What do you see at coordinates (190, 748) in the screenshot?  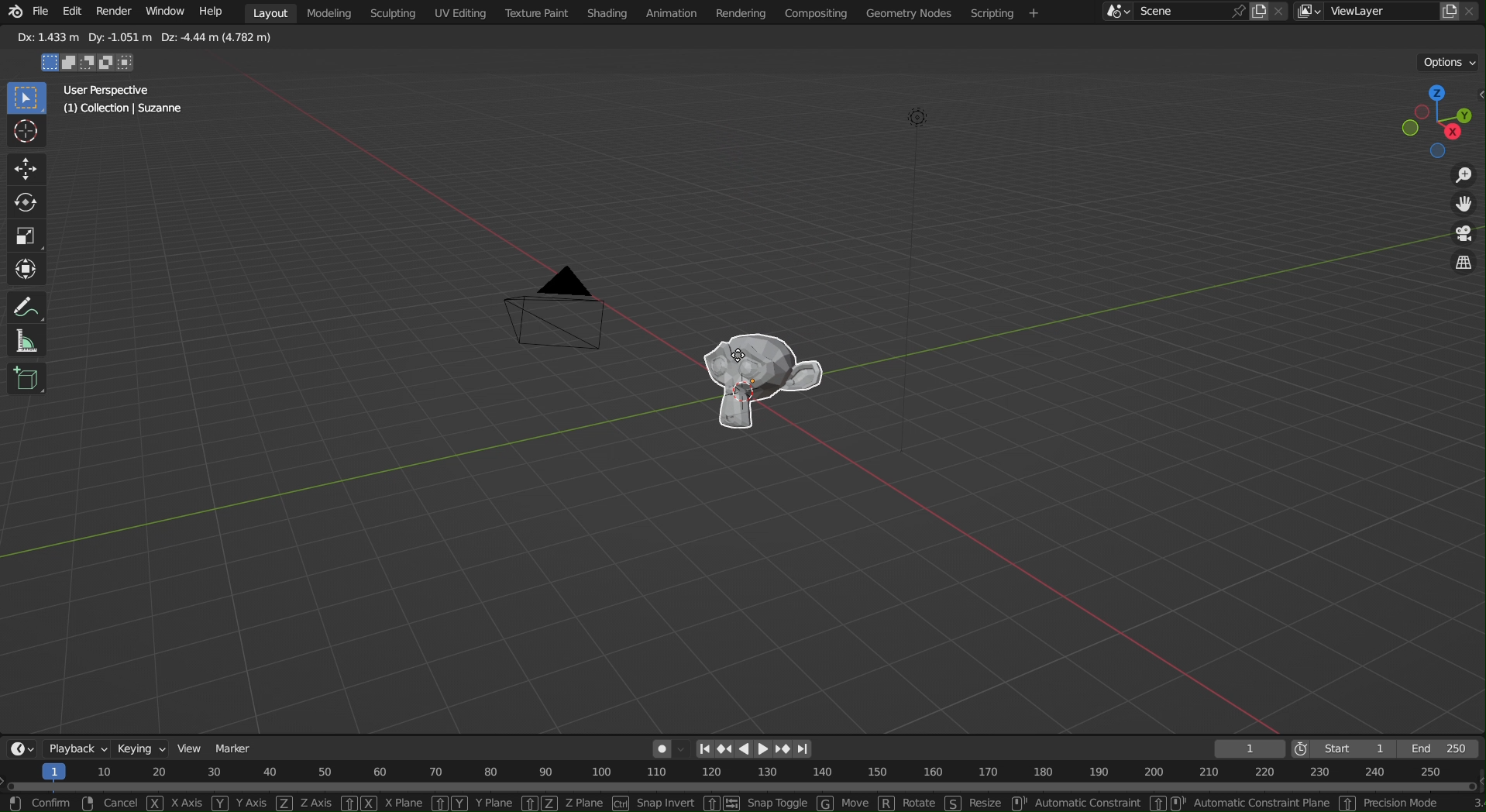 I see `View` at bounding box center [190, 748].